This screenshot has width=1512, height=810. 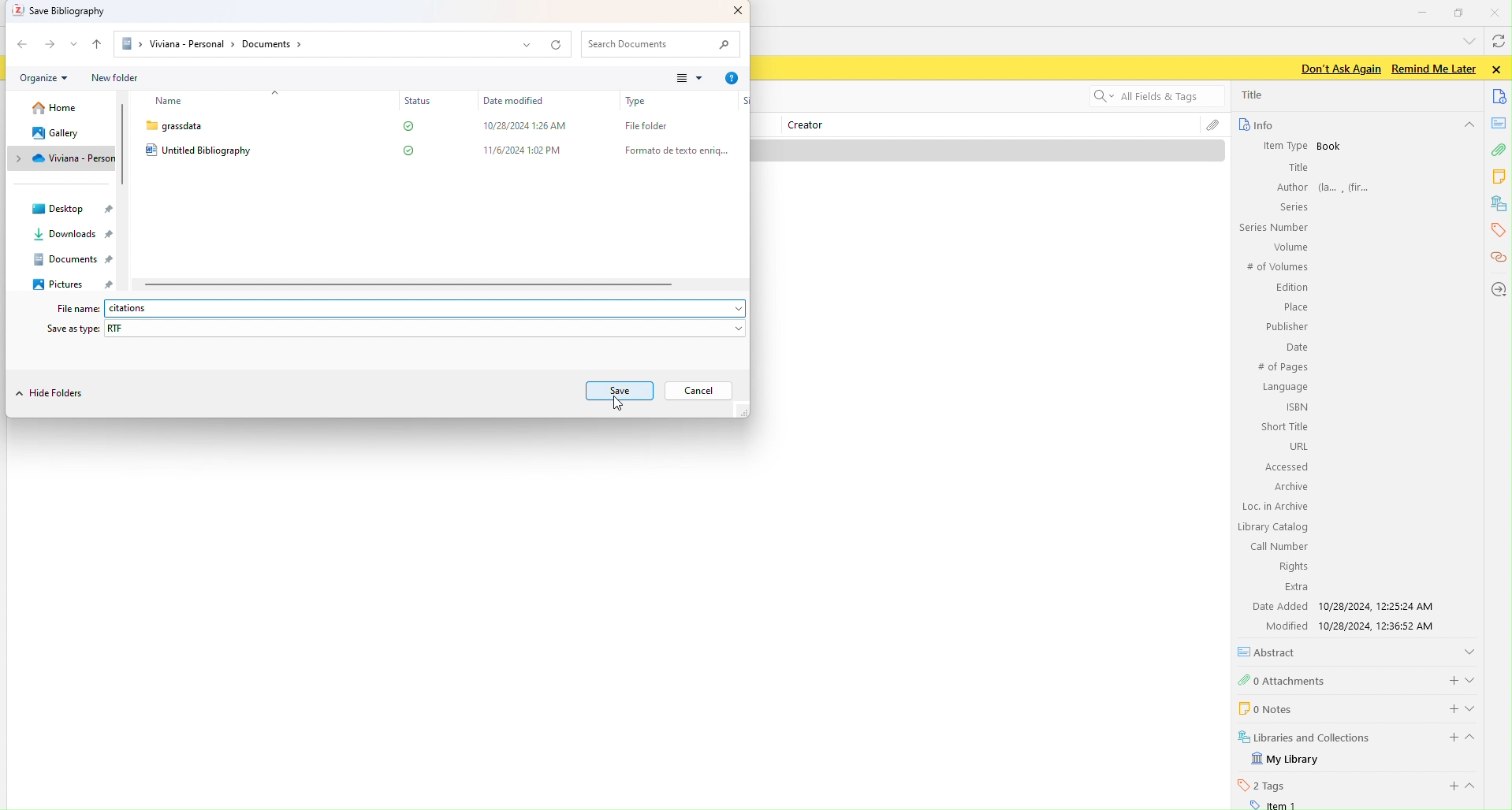 I want to click on Name, so click(x=168, y=102).